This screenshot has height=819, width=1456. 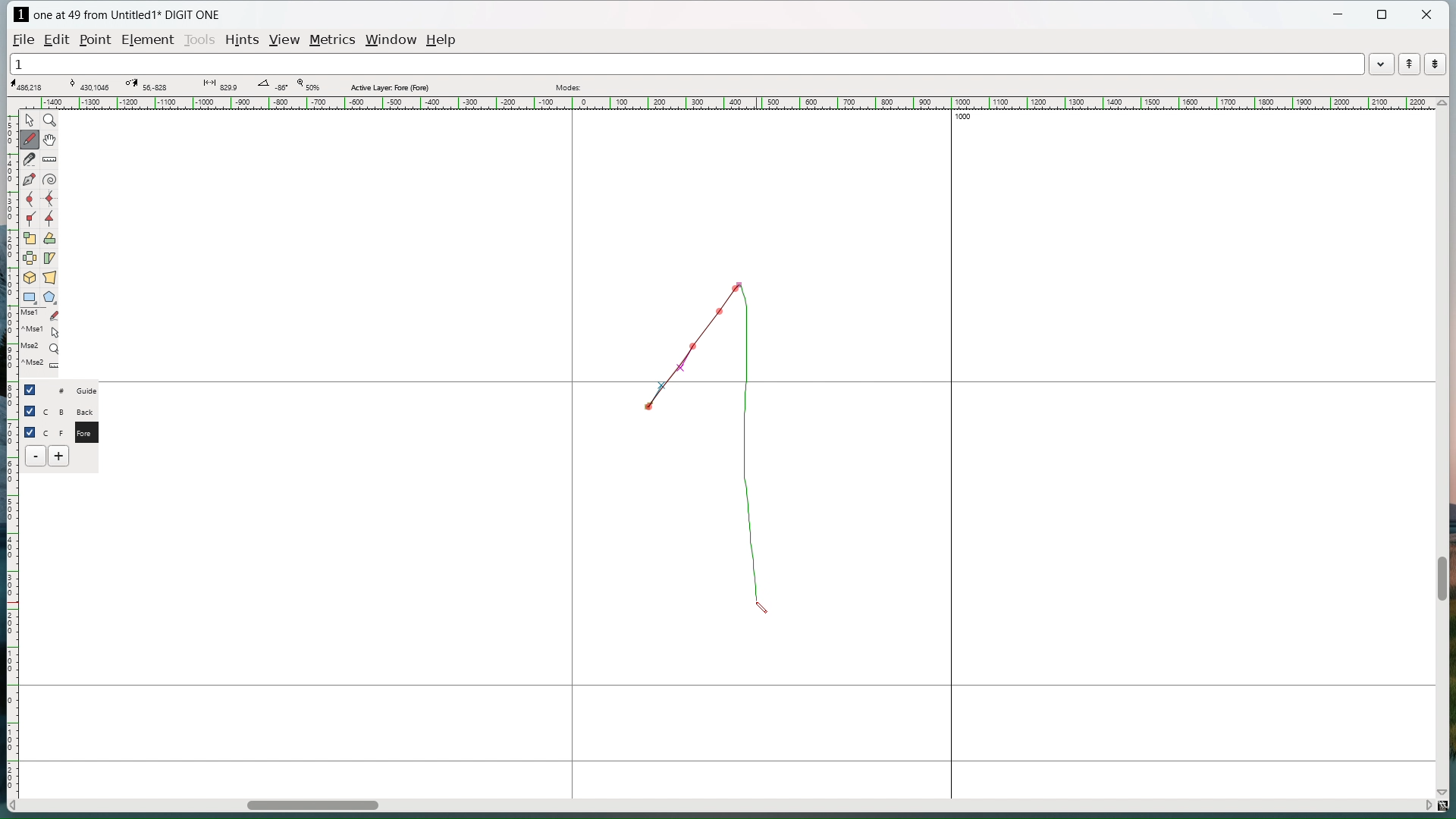 I want to click on 1, so click(x=686, y=63).